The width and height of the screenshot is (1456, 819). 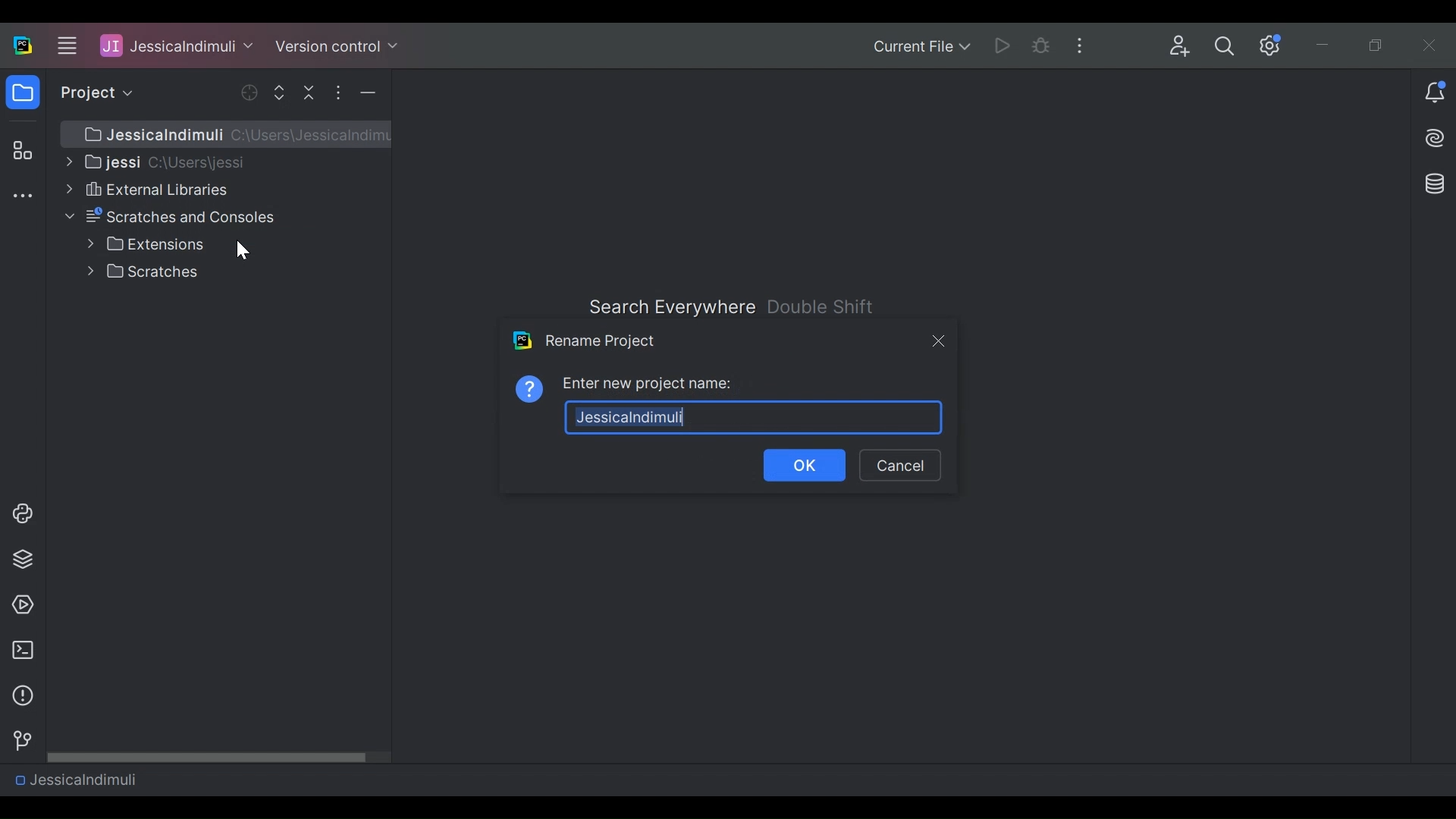 I want to click on Extensions, so click(x=146, y=244).